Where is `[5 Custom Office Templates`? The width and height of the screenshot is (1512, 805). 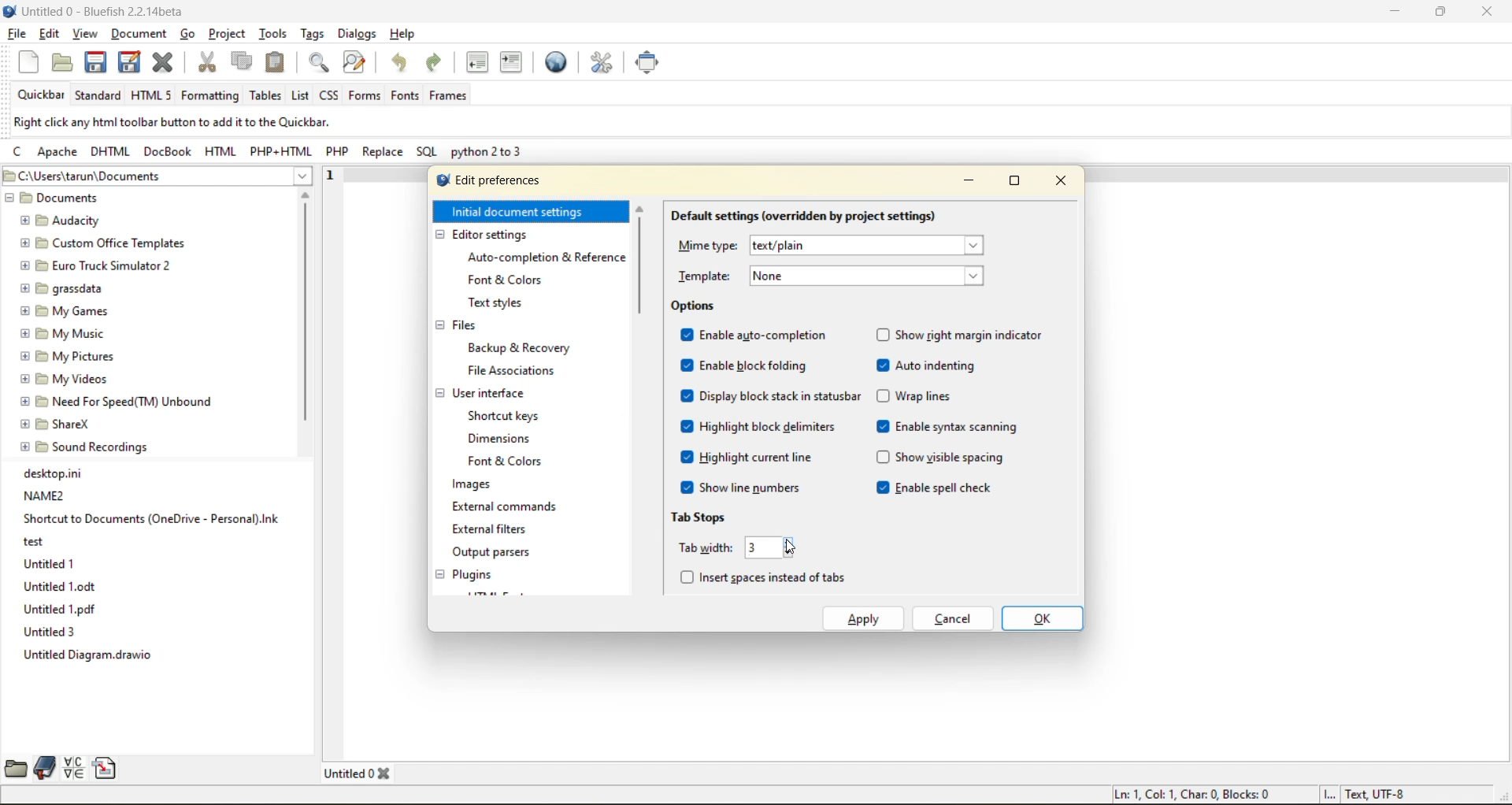
[5 Custom Office Templates is located at coordinates (100, 242).